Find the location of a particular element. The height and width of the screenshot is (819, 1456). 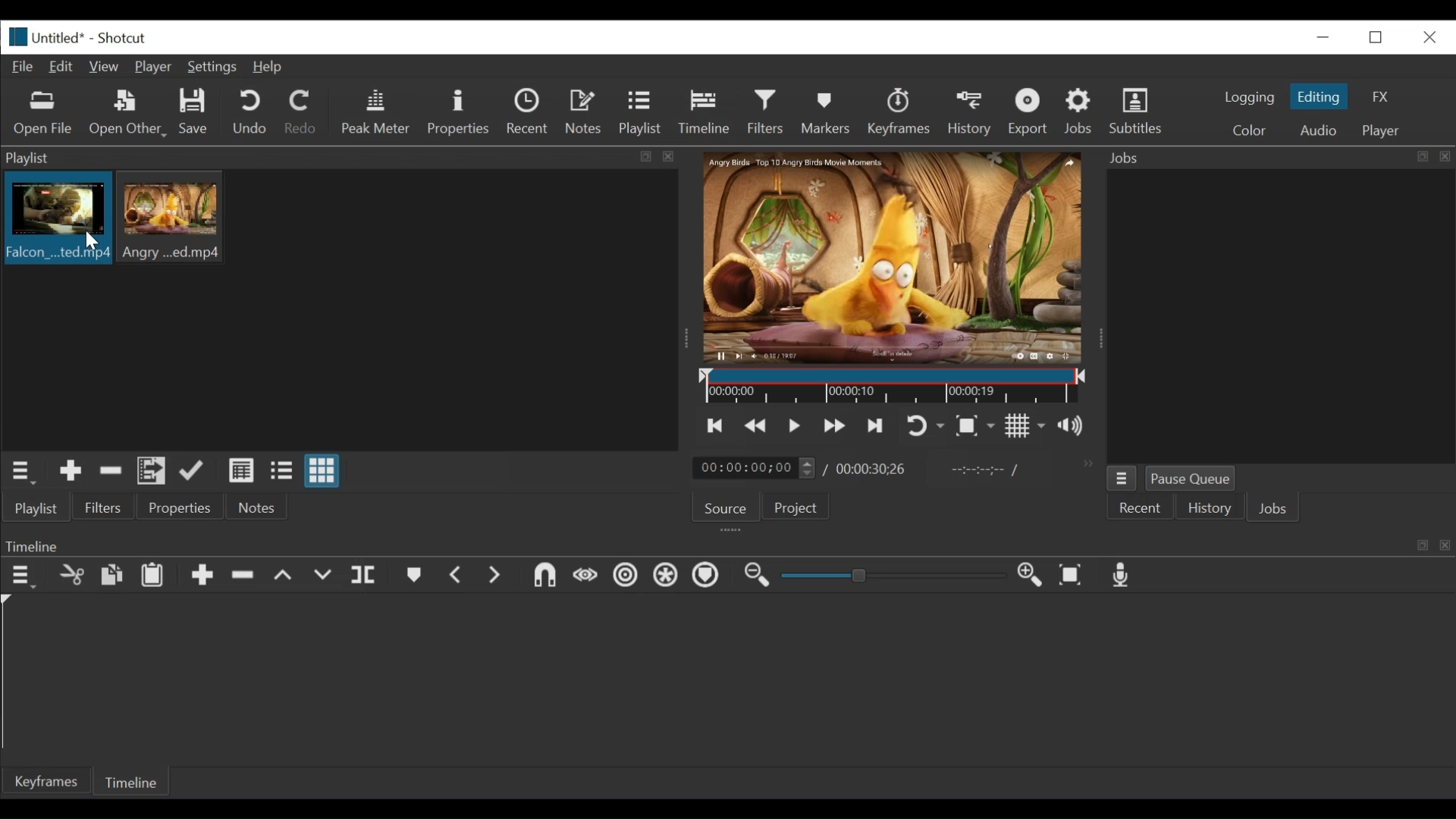

next marker is located at coordinates (497, 576).